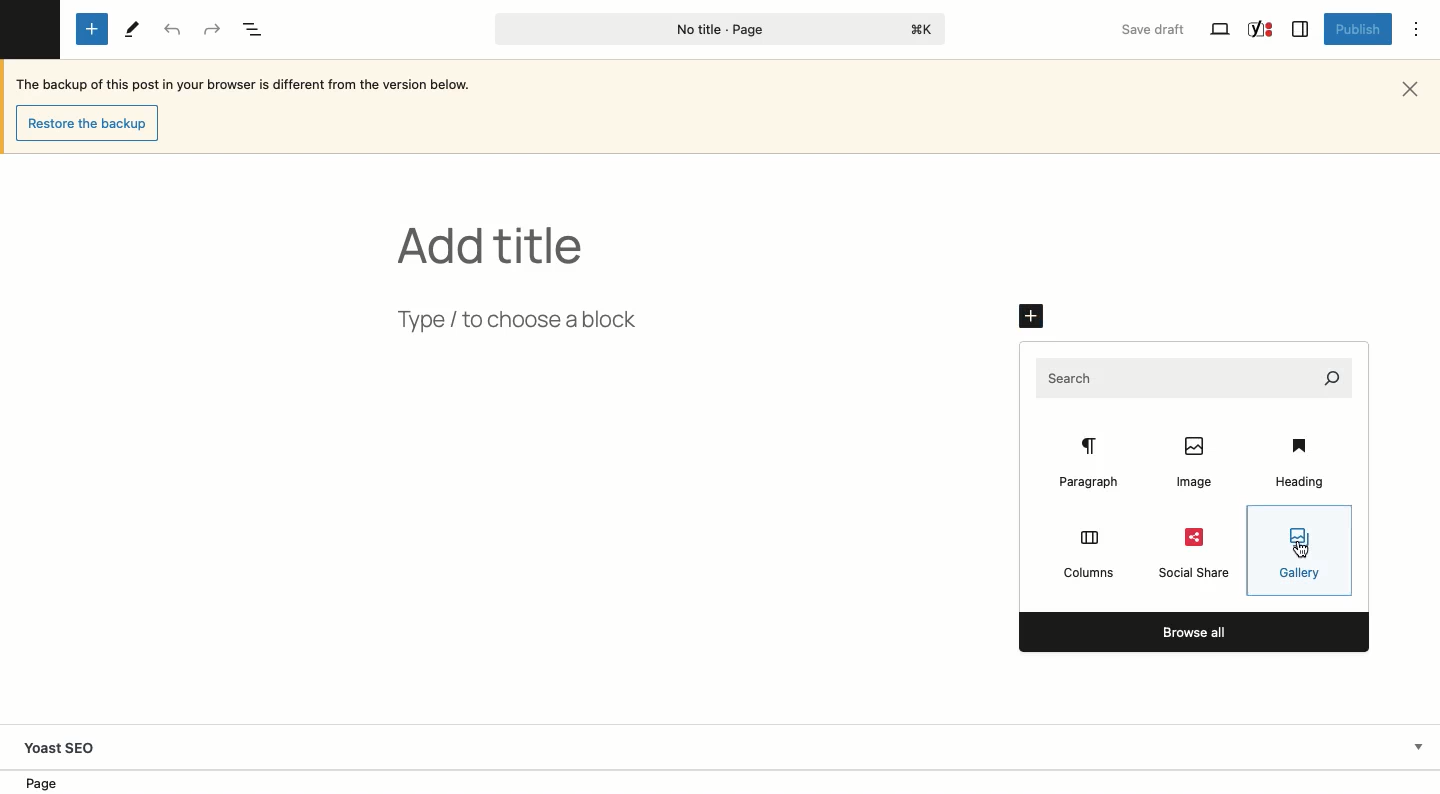 The height and width of the screenshot is (794, 1440). I want to click on Undo, so click(174, 31).